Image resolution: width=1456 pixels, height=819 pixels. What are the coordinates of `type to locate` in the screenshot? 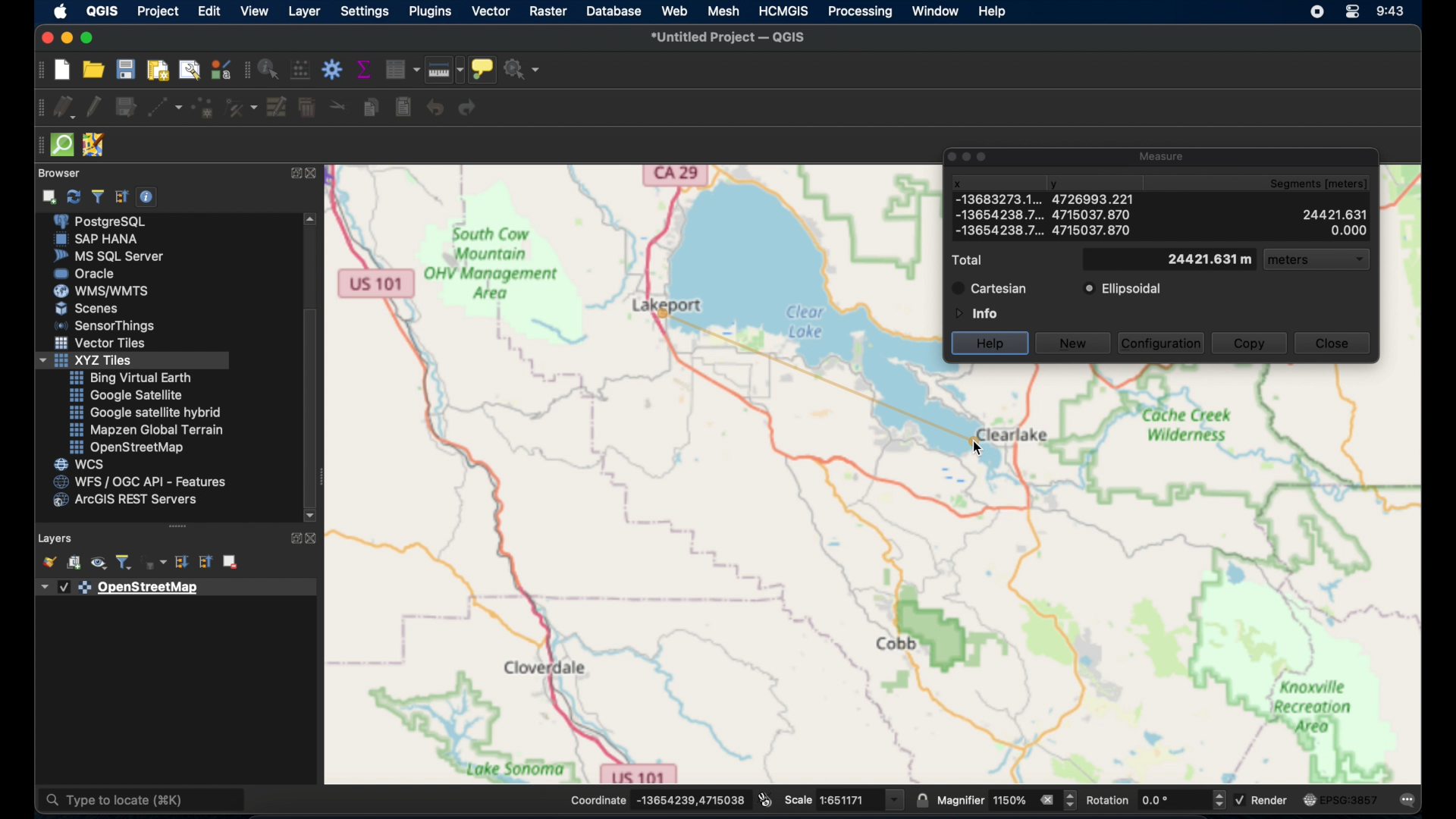 It's located at (143, 801).